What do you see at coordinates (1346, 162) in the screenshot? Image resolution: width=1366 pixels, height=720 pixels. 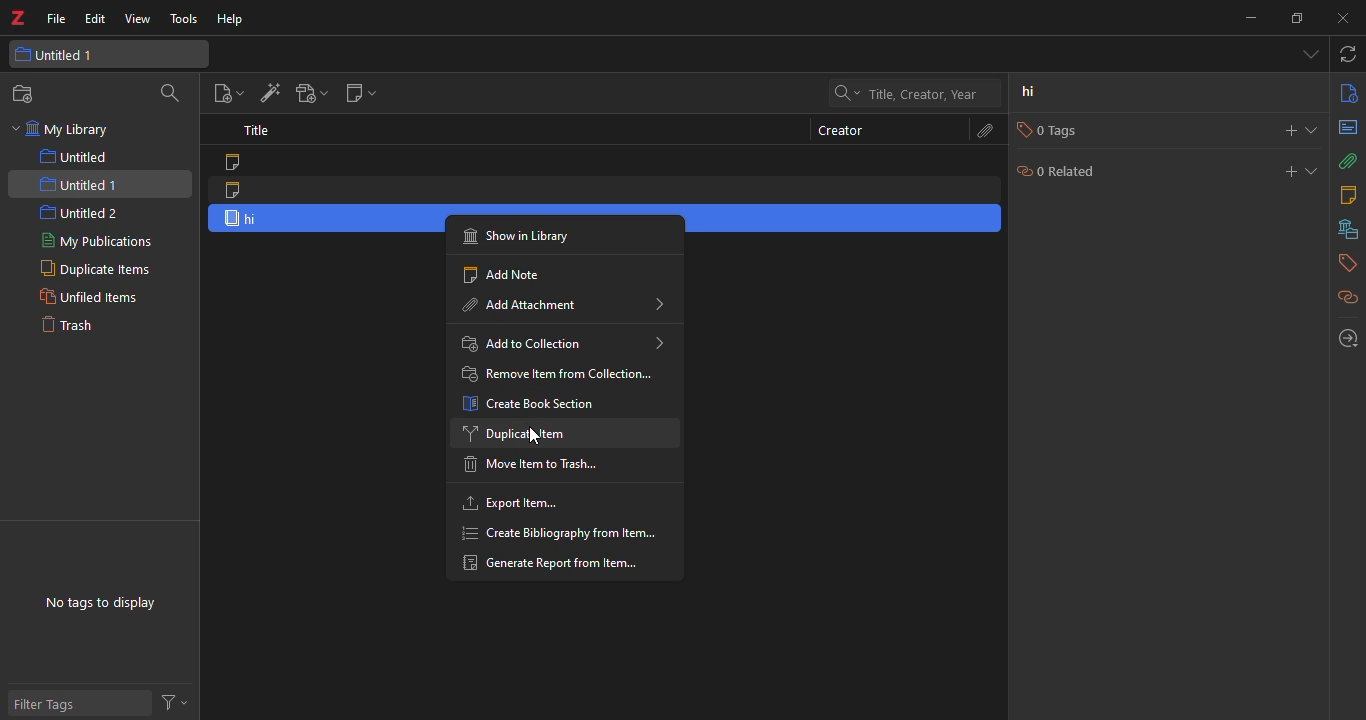 I see `attach` at bounding box center [1346, 162].